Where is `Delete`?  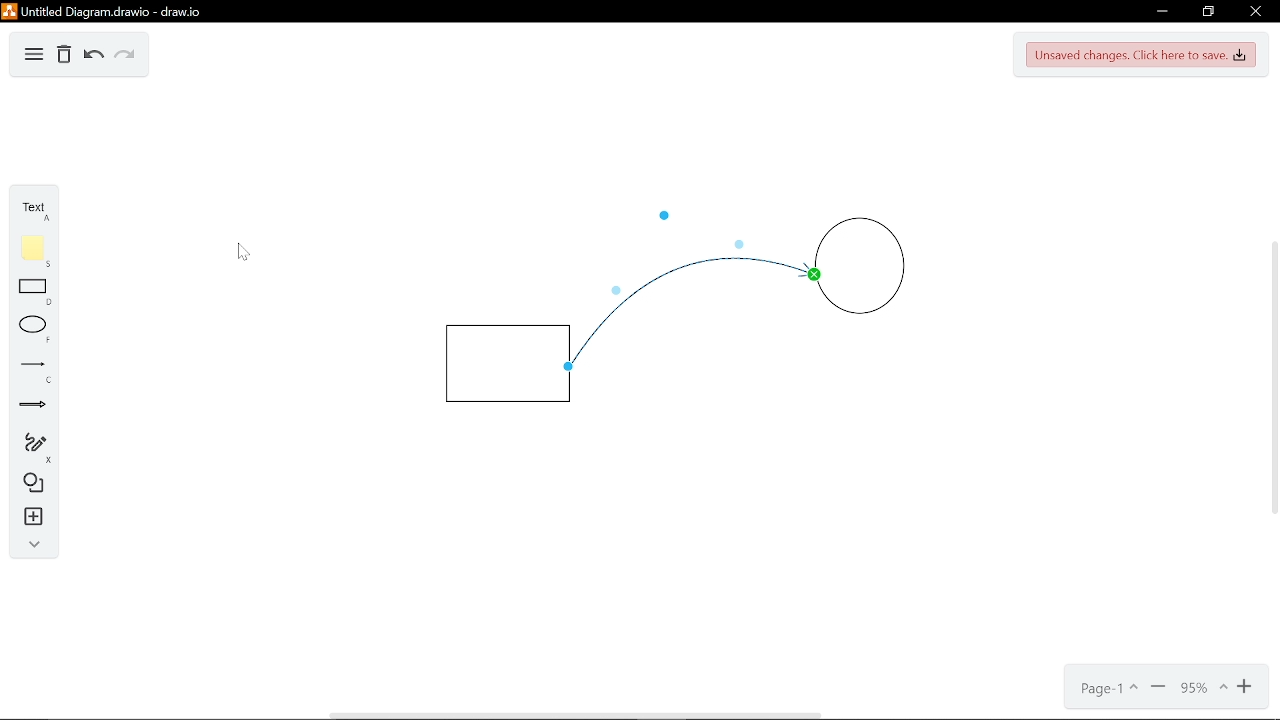
Delete is located at coordinates (64, 56).